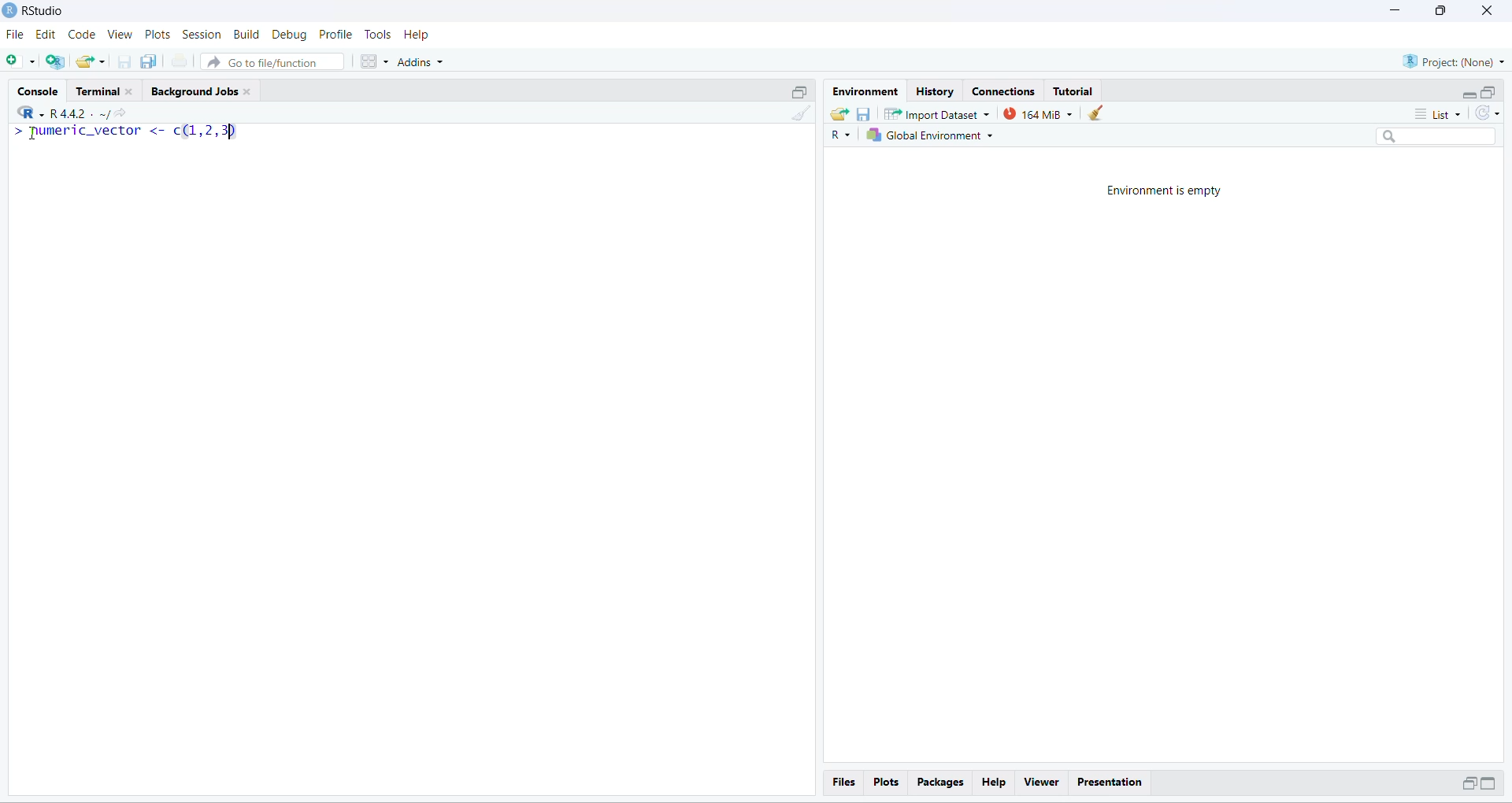 This screenshot has width=1512, height=803. Describe the element at coordinates (993, 783) in the screenshot. I see `Help` at that location.